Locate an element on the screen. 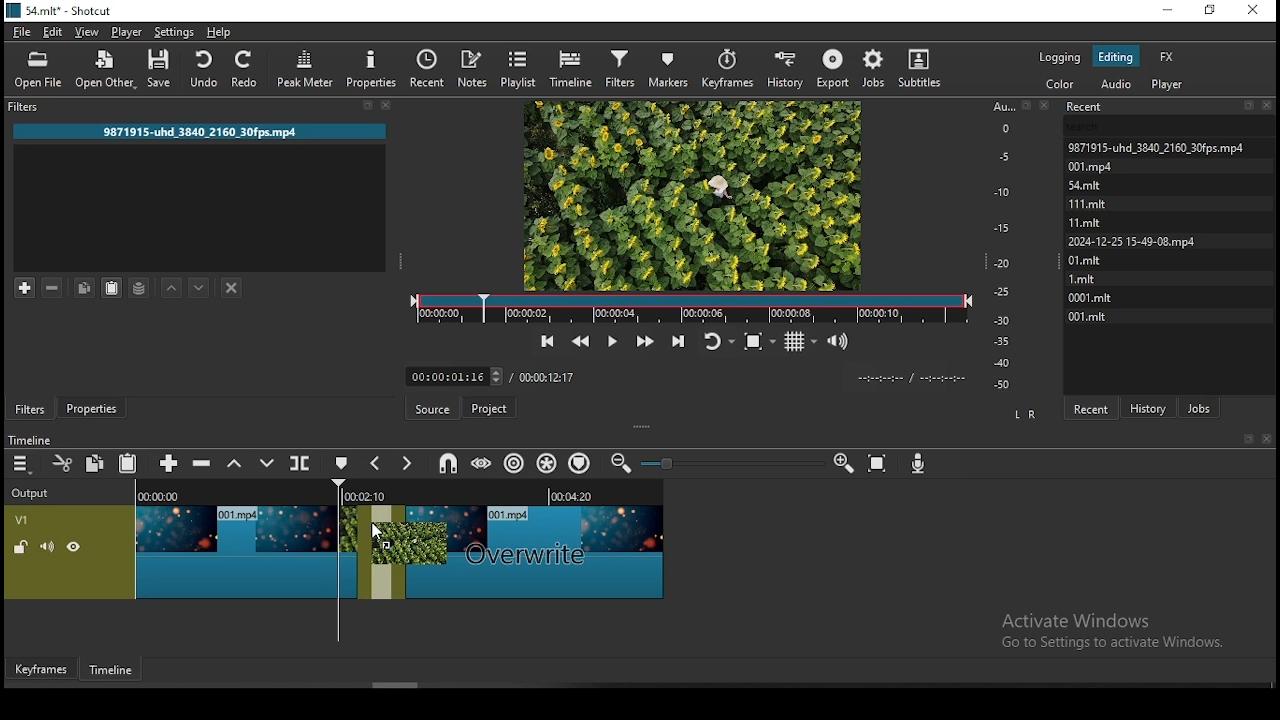  minimize is located at coordinates (1168, 11).